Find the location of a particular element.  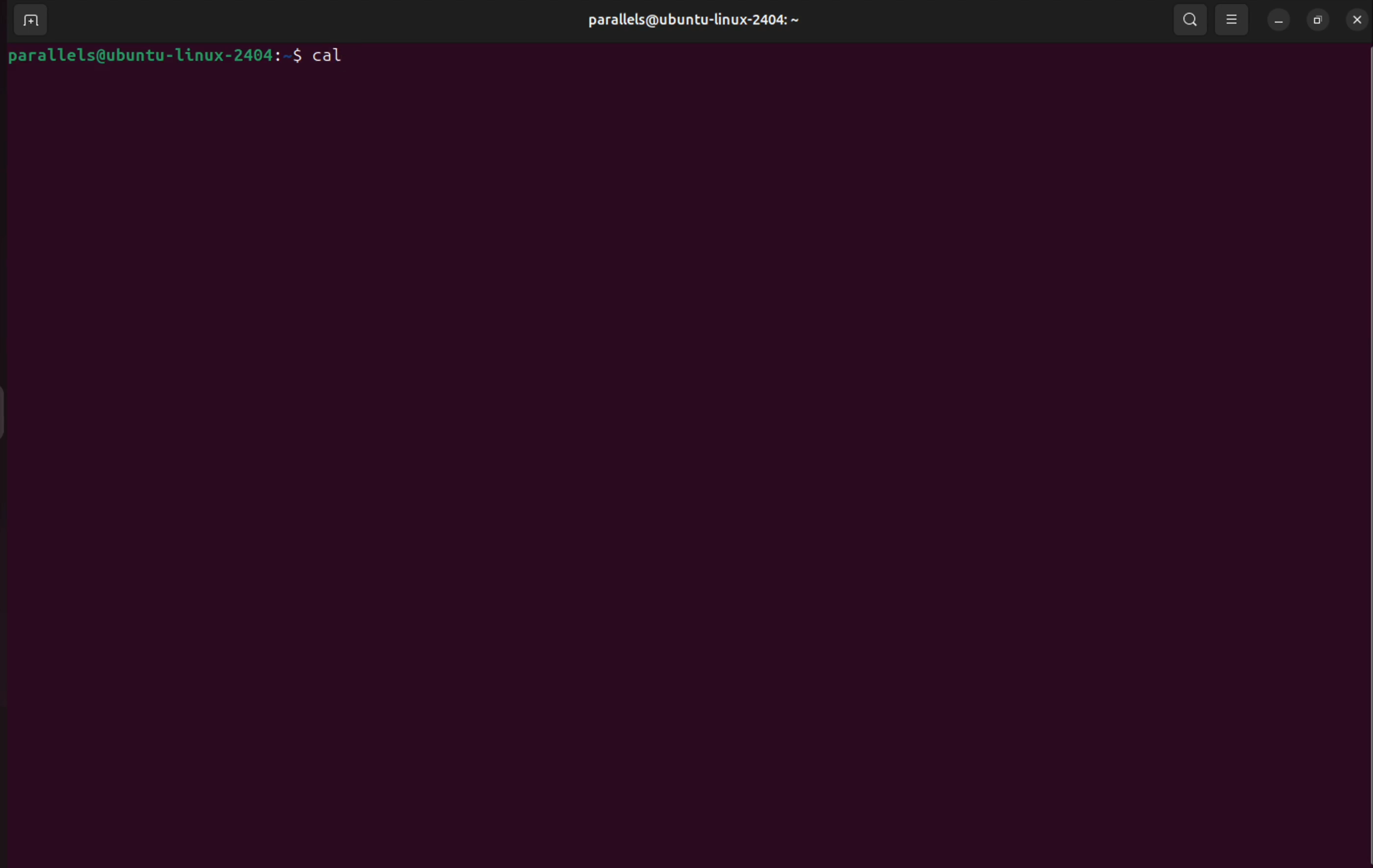

add terminal is located at coordinates (30, 17).